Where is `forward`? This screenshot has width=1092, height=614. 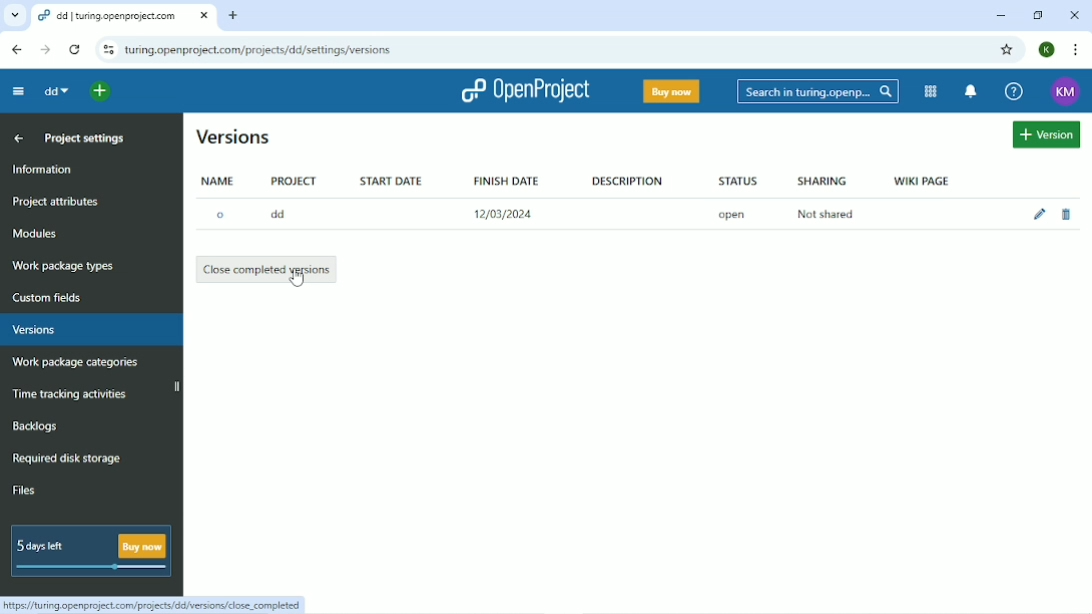
forward is located at coordinates (42, 50).